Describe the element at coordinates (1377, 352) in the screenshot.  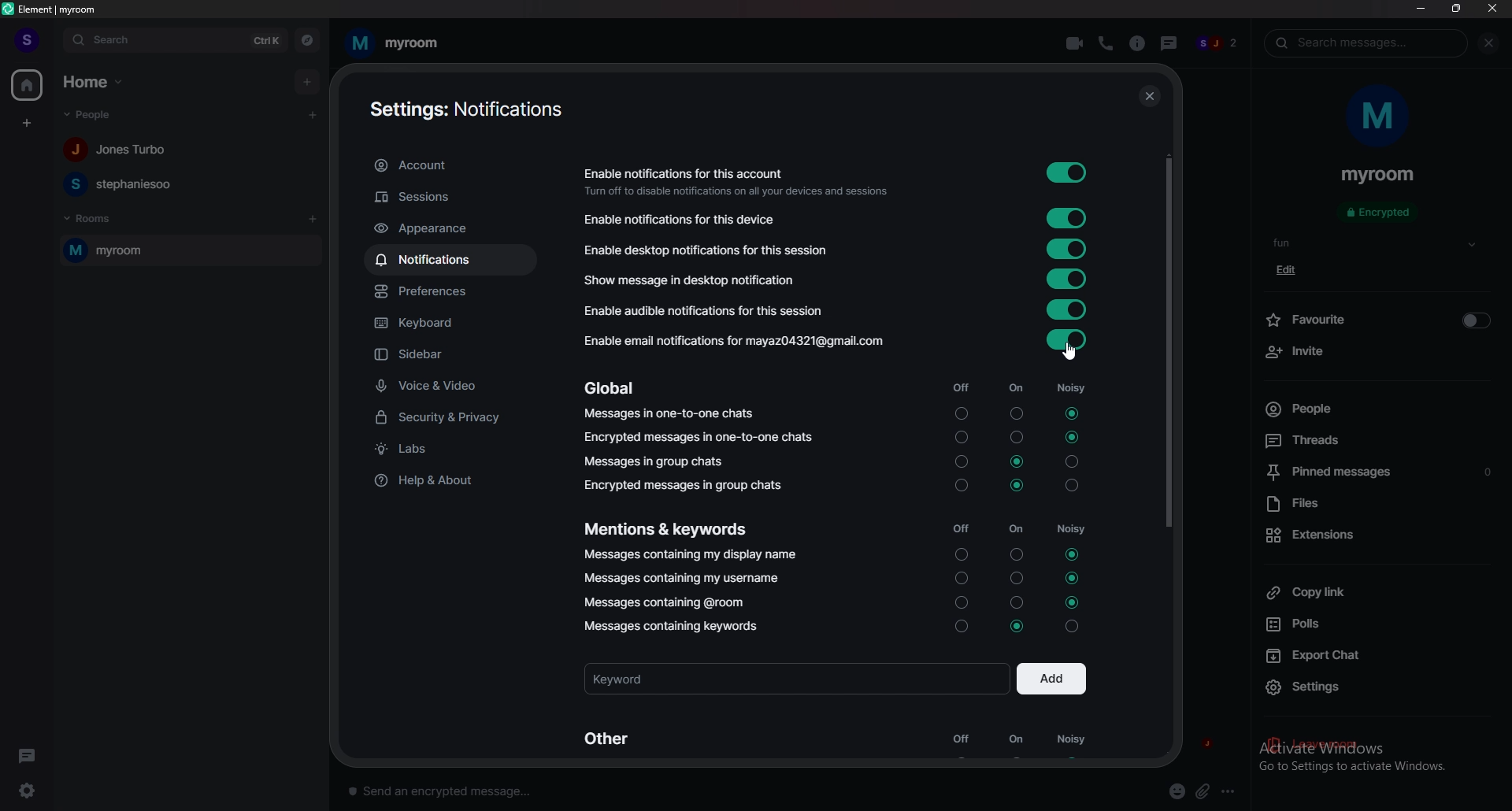
I see `invite` at that location.